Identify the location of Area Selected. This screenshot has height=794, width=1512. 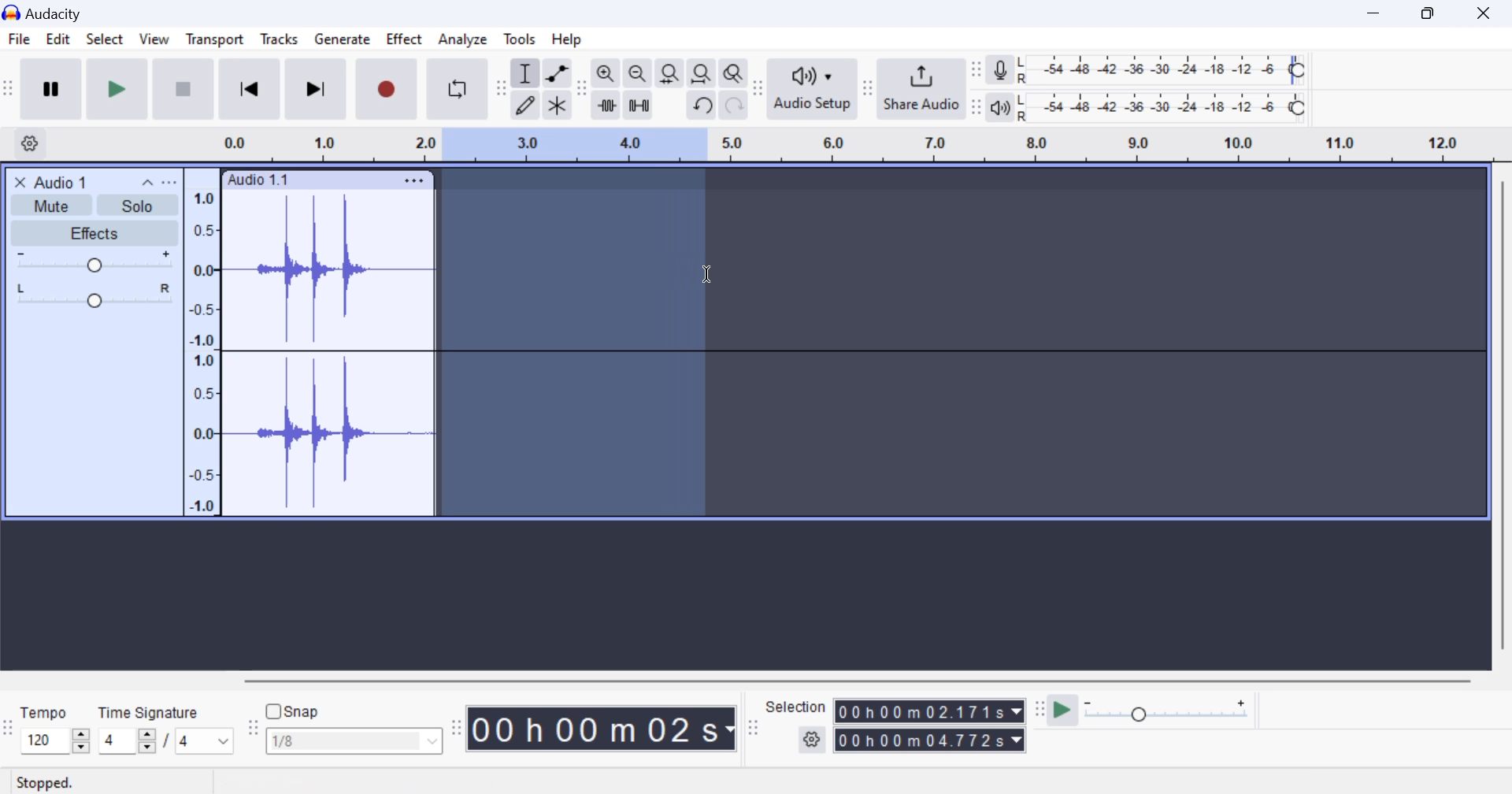
(573, 345).